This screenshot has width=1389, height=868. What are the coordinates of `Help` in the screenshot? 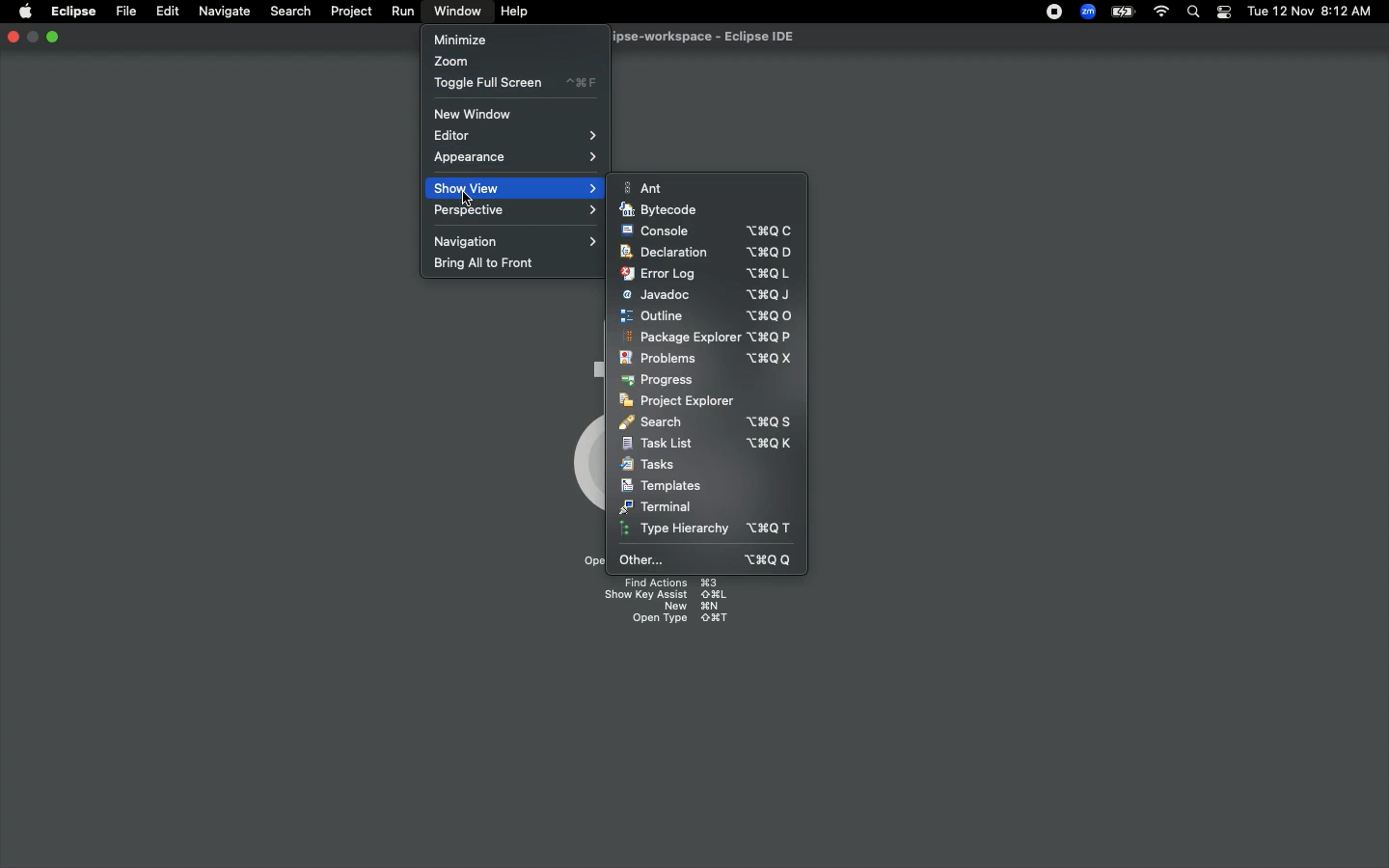 It's located at (515, 12).